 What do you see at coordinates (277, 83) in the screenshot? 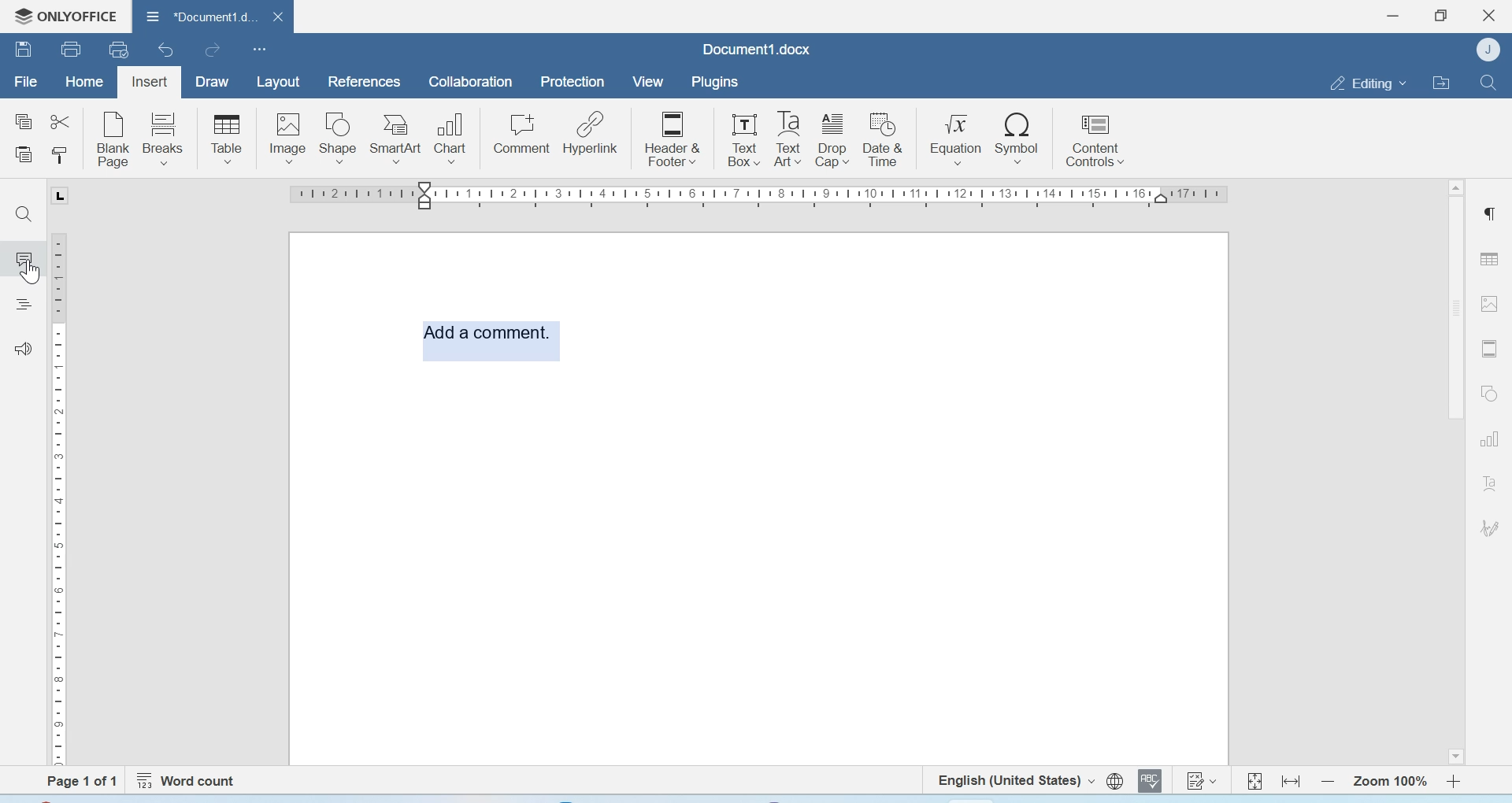
I see `Layout` at bounding box center [277, 83].